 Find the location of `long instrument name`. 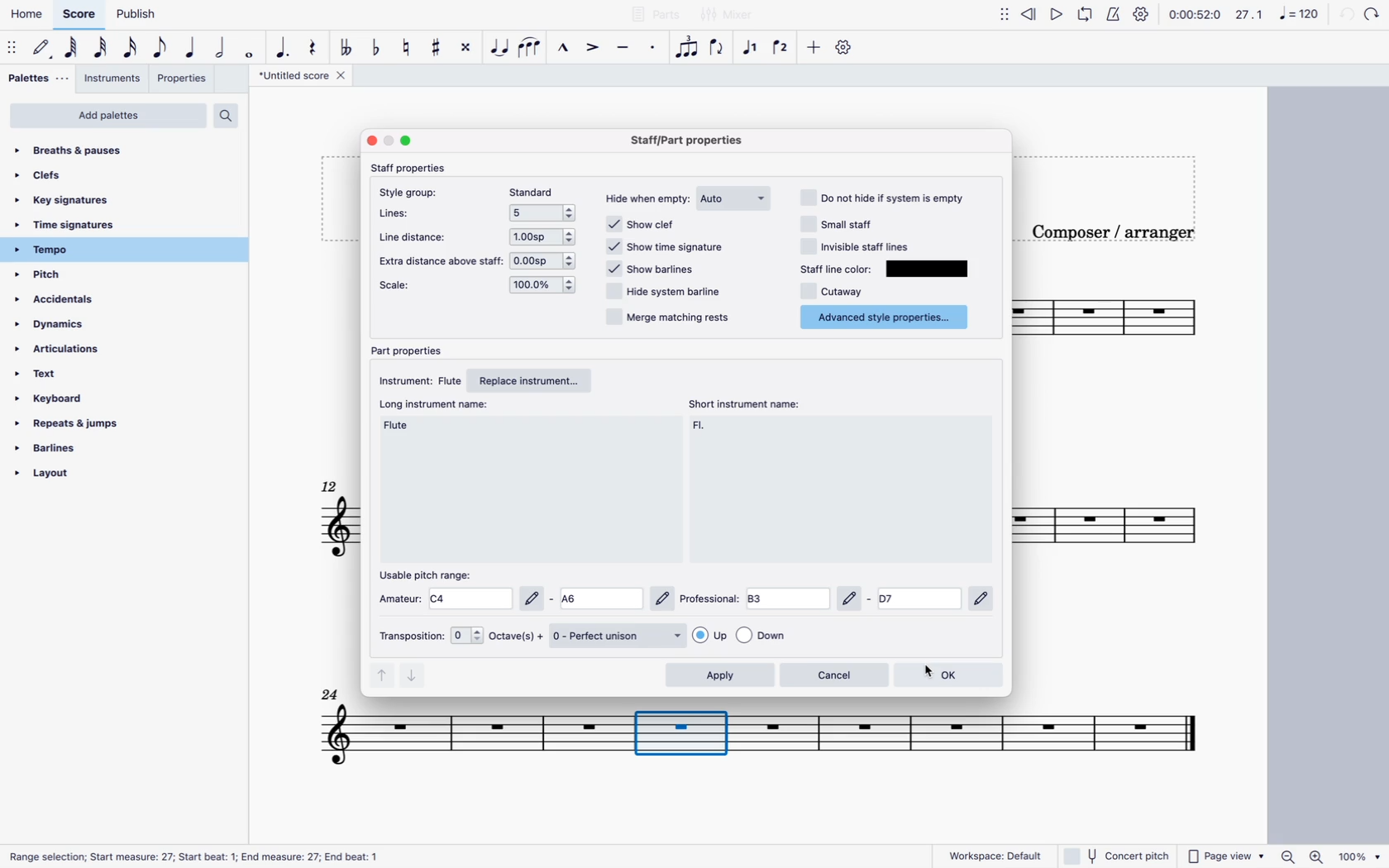

long instrument name is located at coordinates (401, 430).